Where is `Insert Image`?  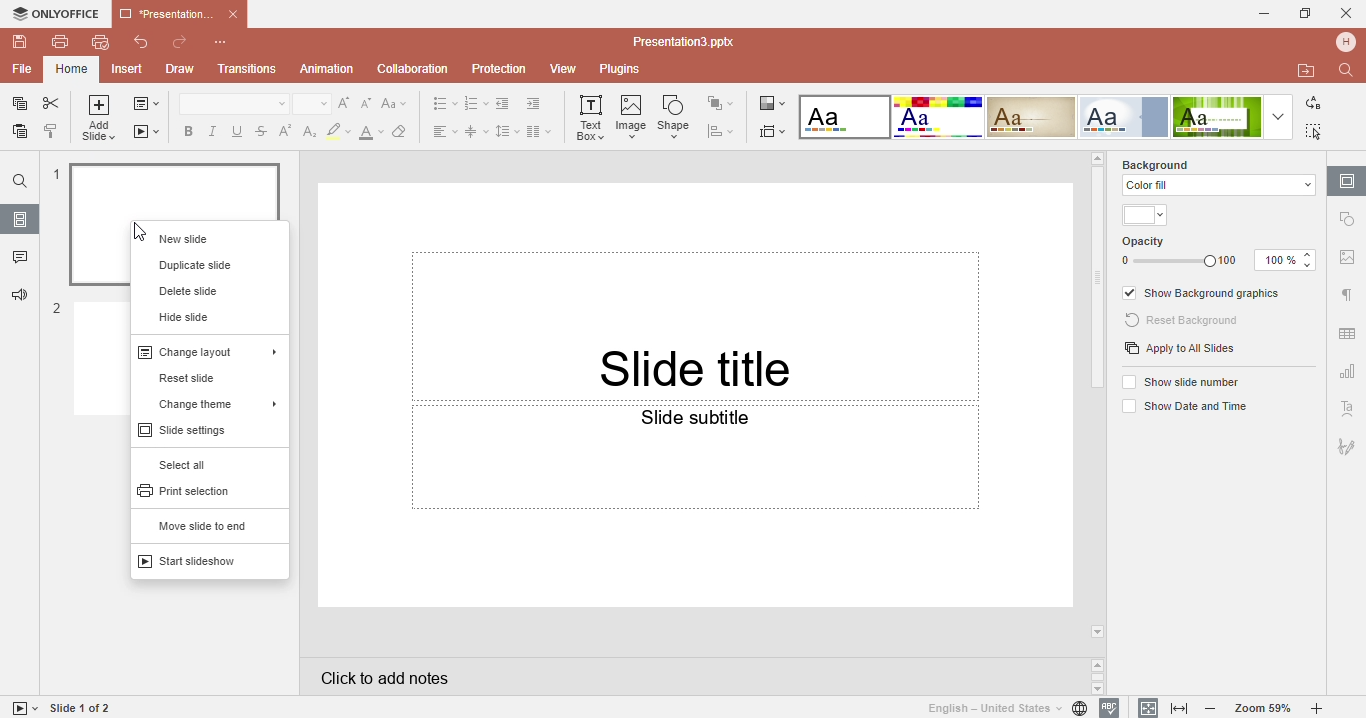 Insert Image is located at coordinates (633, 116).